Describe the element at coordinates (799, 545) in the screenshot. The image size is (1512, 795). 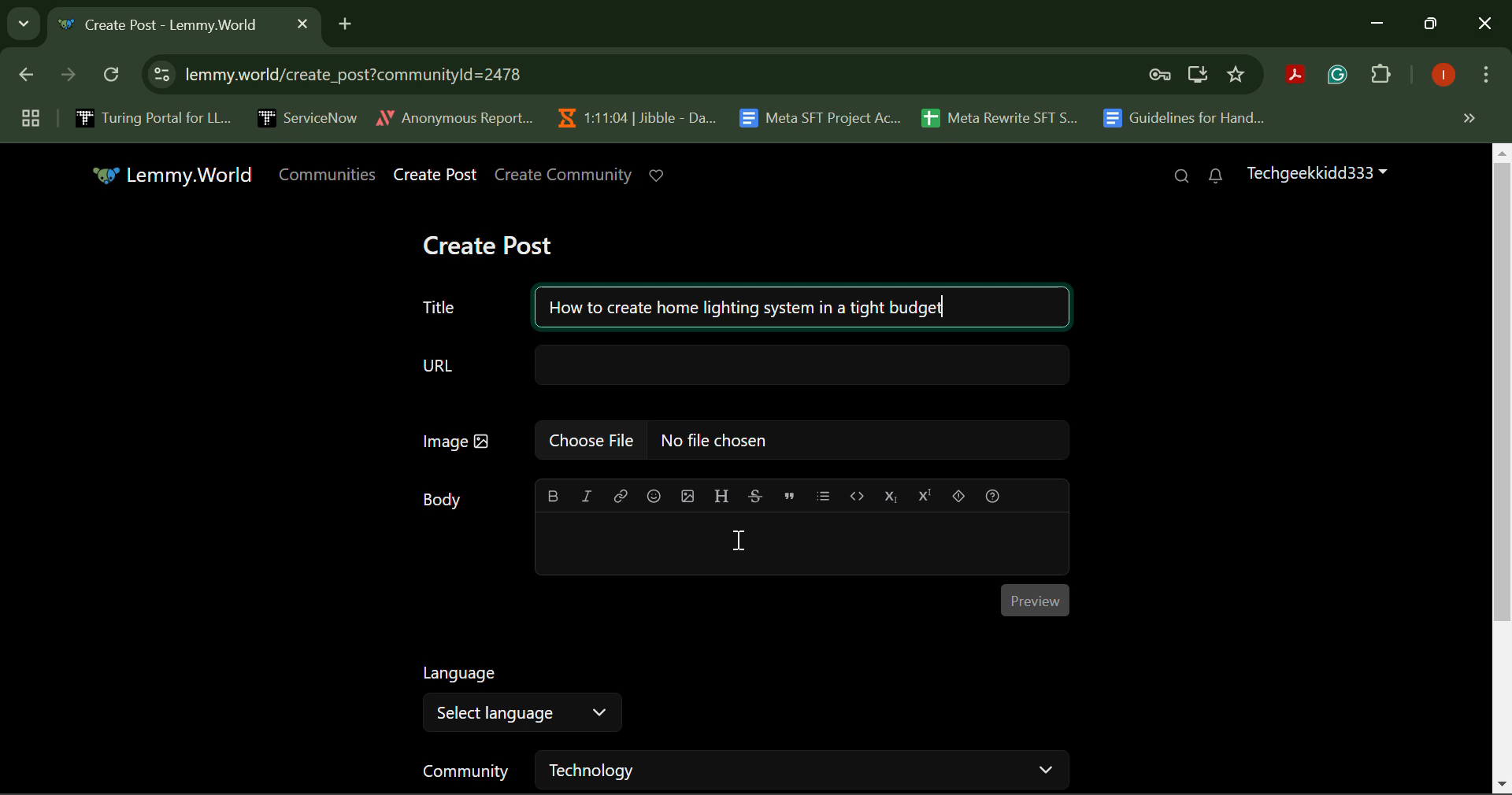
I see `Post Body Text Box ` at that location.